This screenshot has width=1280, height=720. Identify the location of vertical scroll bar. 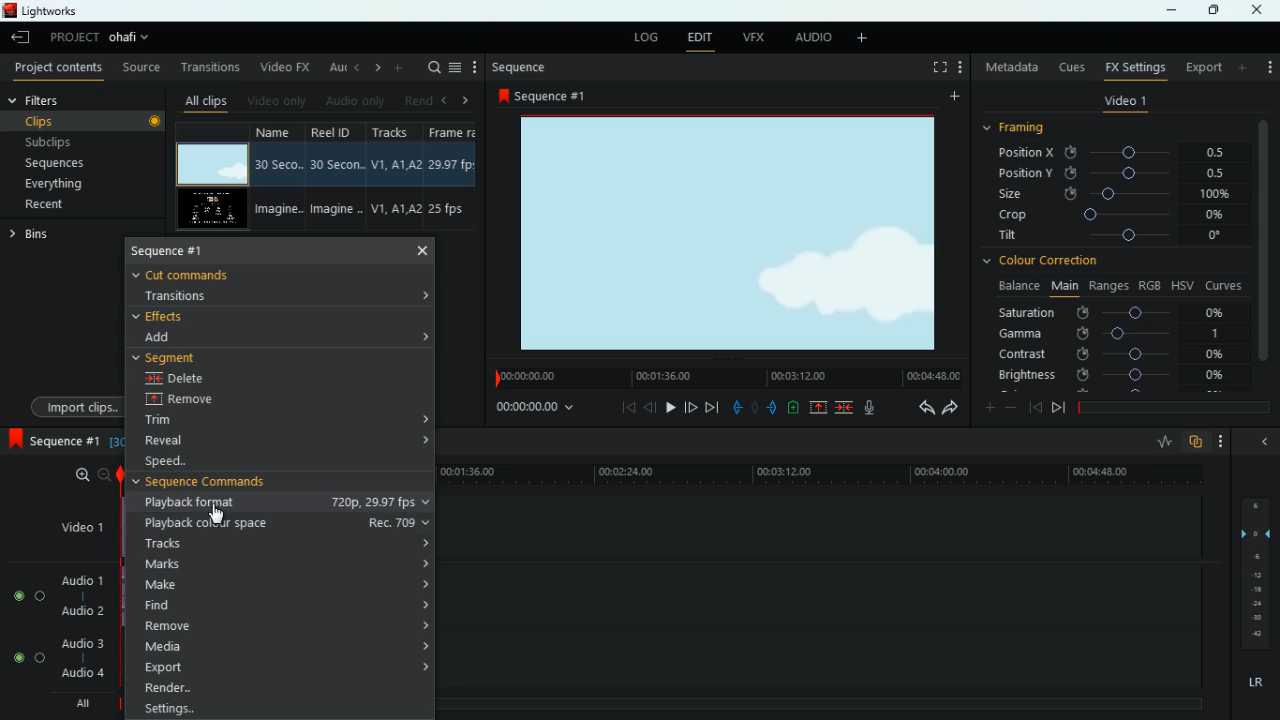
(1267, 247).